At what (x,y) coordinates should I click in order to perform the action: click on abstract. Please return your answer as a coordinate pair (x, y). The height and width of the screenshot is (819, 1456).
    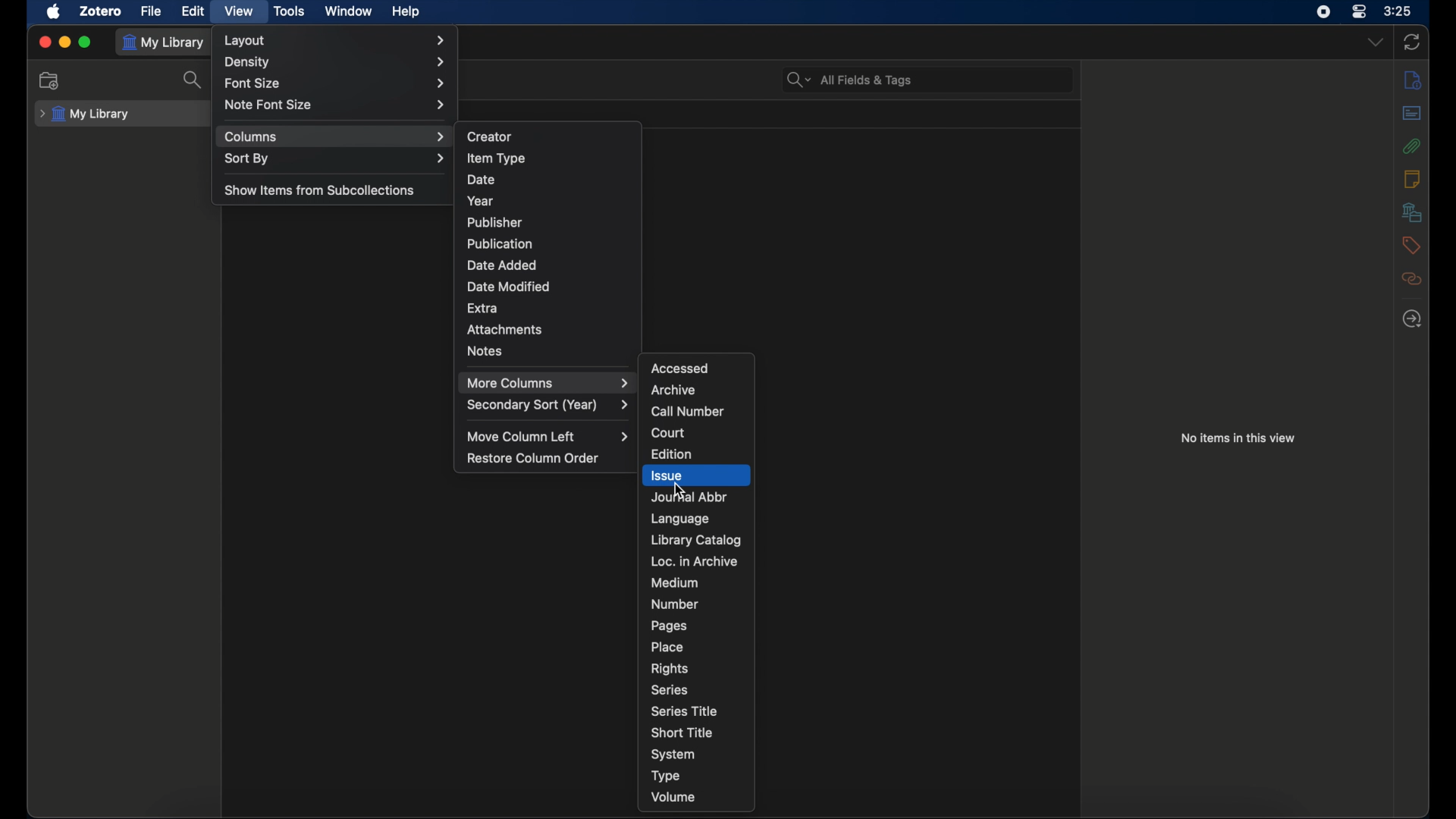
    Looking at the image, I should click on (1412, 112).